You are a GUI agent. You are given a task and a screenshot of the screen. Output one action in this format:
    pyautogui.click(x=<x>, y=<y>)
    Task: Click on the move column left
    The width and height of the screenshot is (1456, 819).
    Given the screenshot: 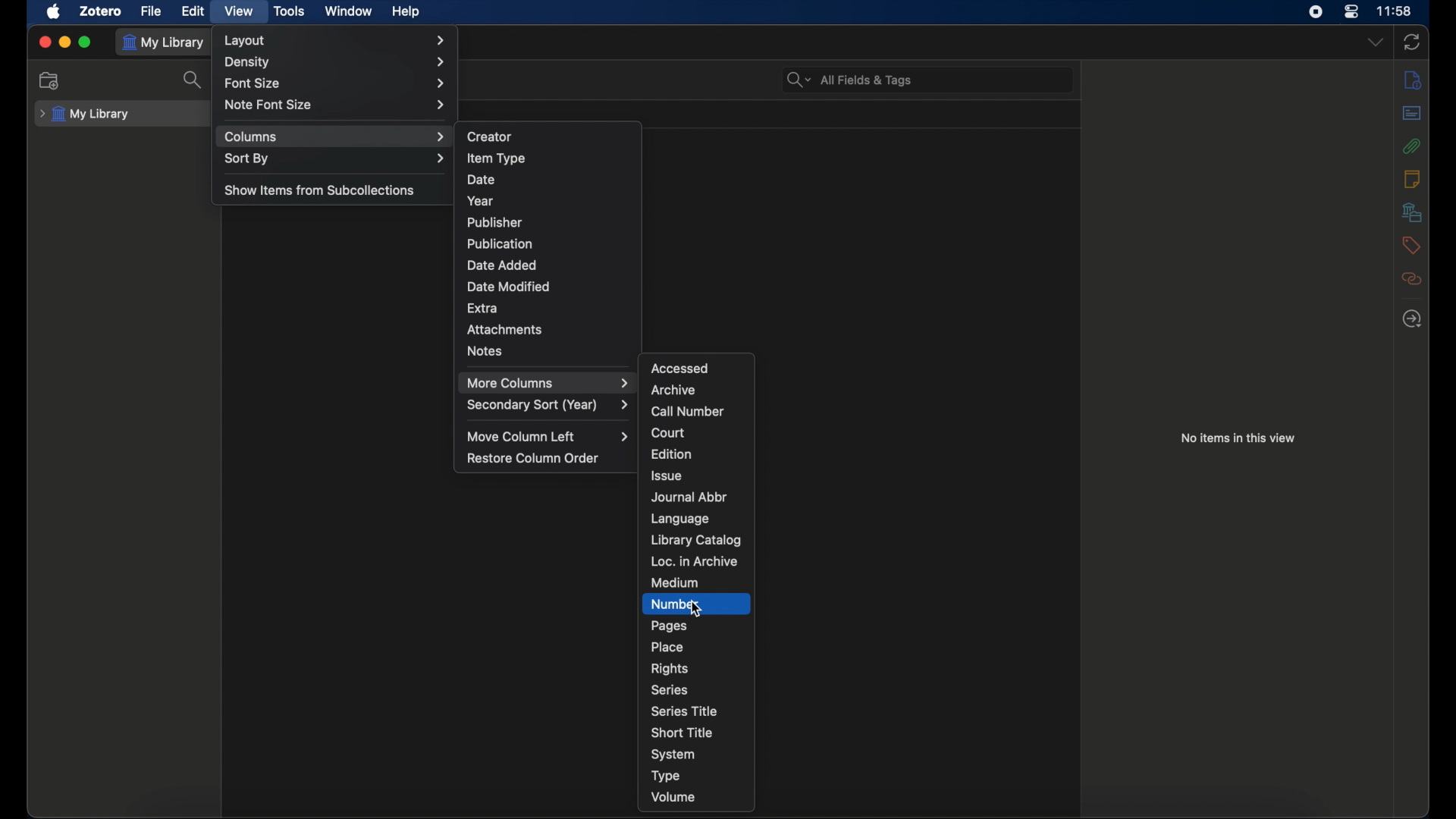 What is the action you would take?
    pyautogui.click(x=548, y=437)
    